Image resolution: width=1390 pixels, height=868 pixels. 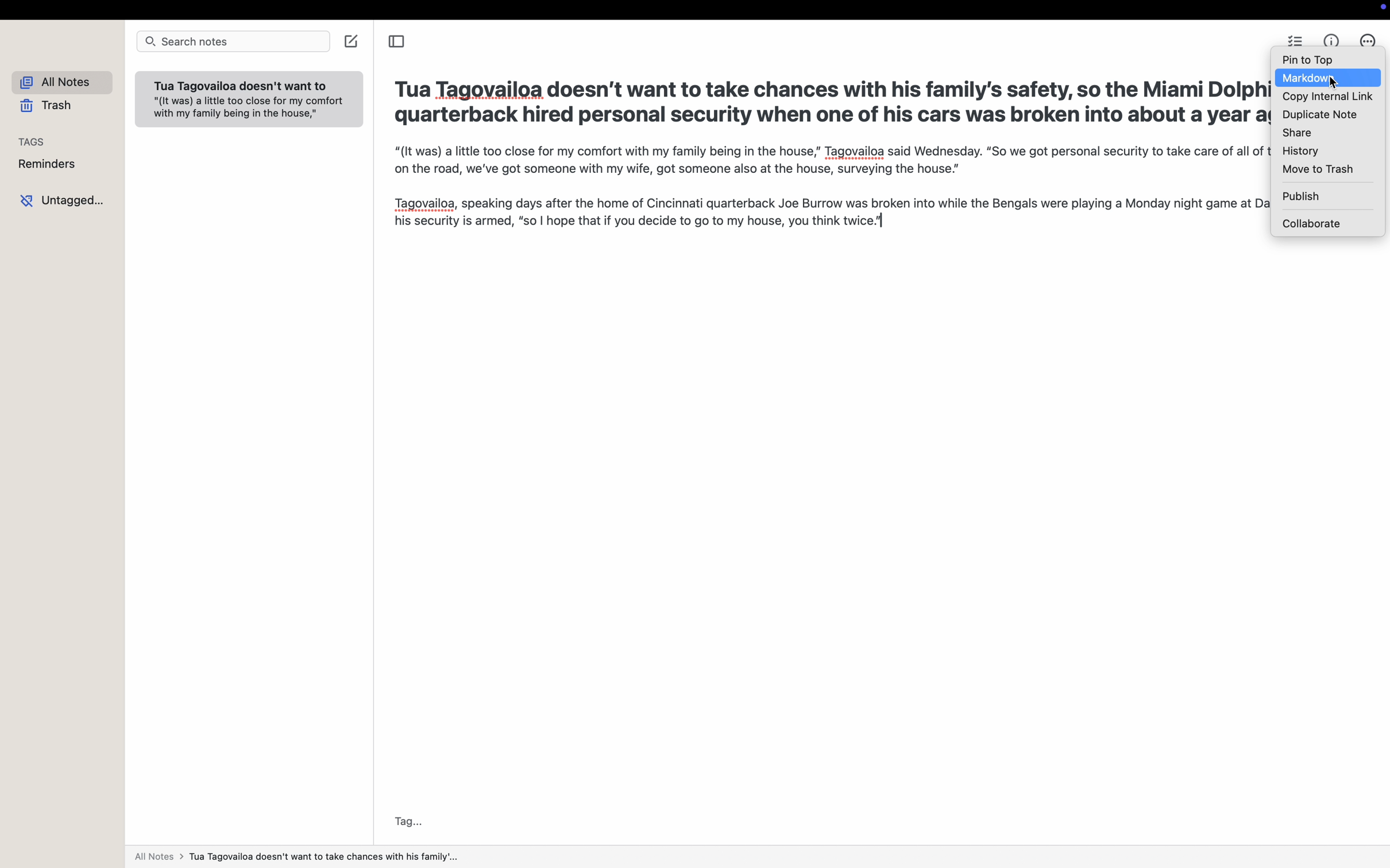 I want to click on pin to top, so click(x=1310, y=60).